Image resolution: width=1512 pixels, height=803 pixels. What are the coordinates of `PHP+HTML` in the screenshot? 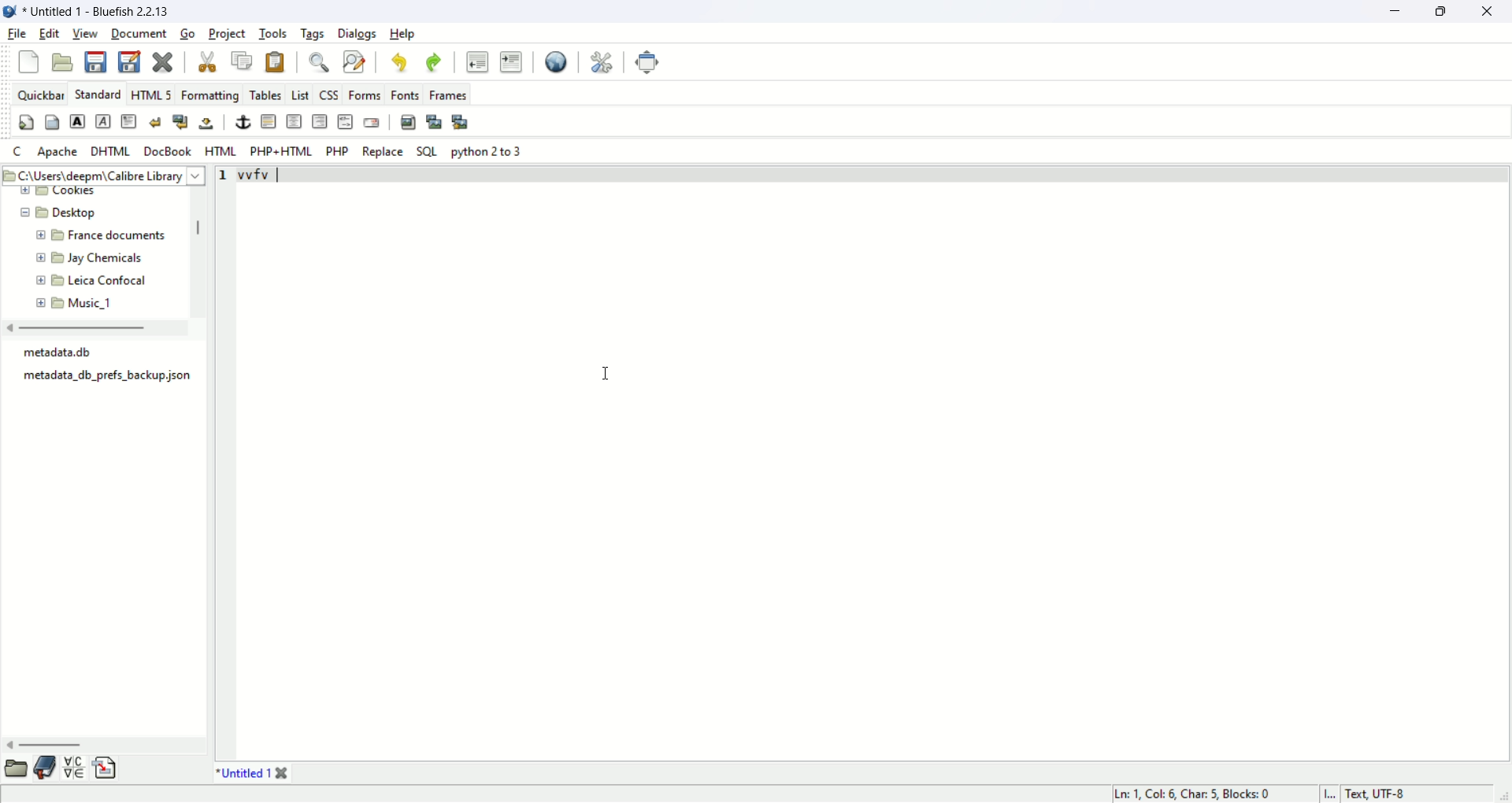 It's located at (280, 152).